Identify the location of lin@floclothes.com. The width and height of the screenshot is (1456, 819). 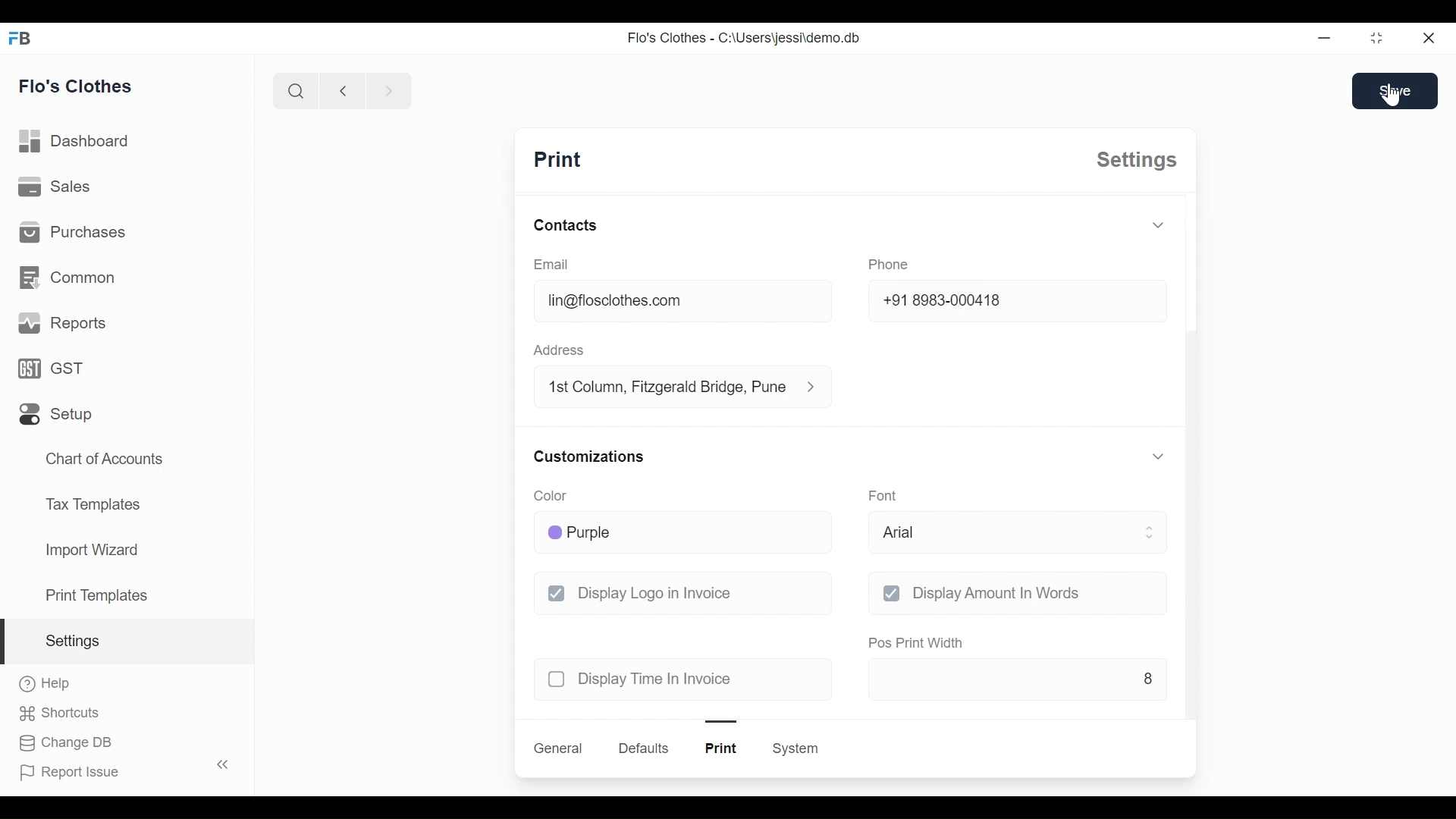
(684, 300).